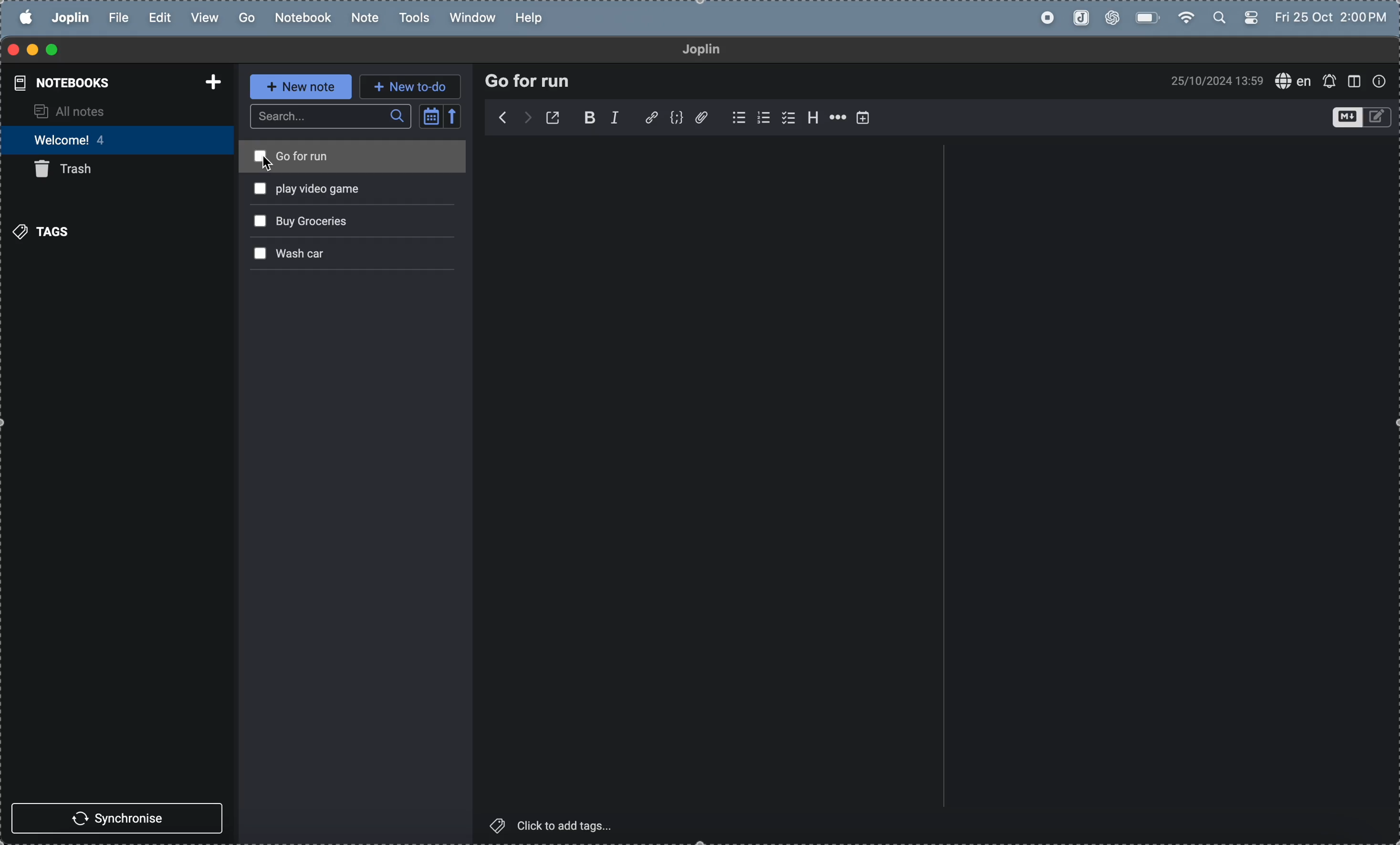 This screenshot has height=845, width=1400. What do you see at coordinates (1331, 81) in the screenshot?
I see `create alert` at bounding box center [1331, 81].